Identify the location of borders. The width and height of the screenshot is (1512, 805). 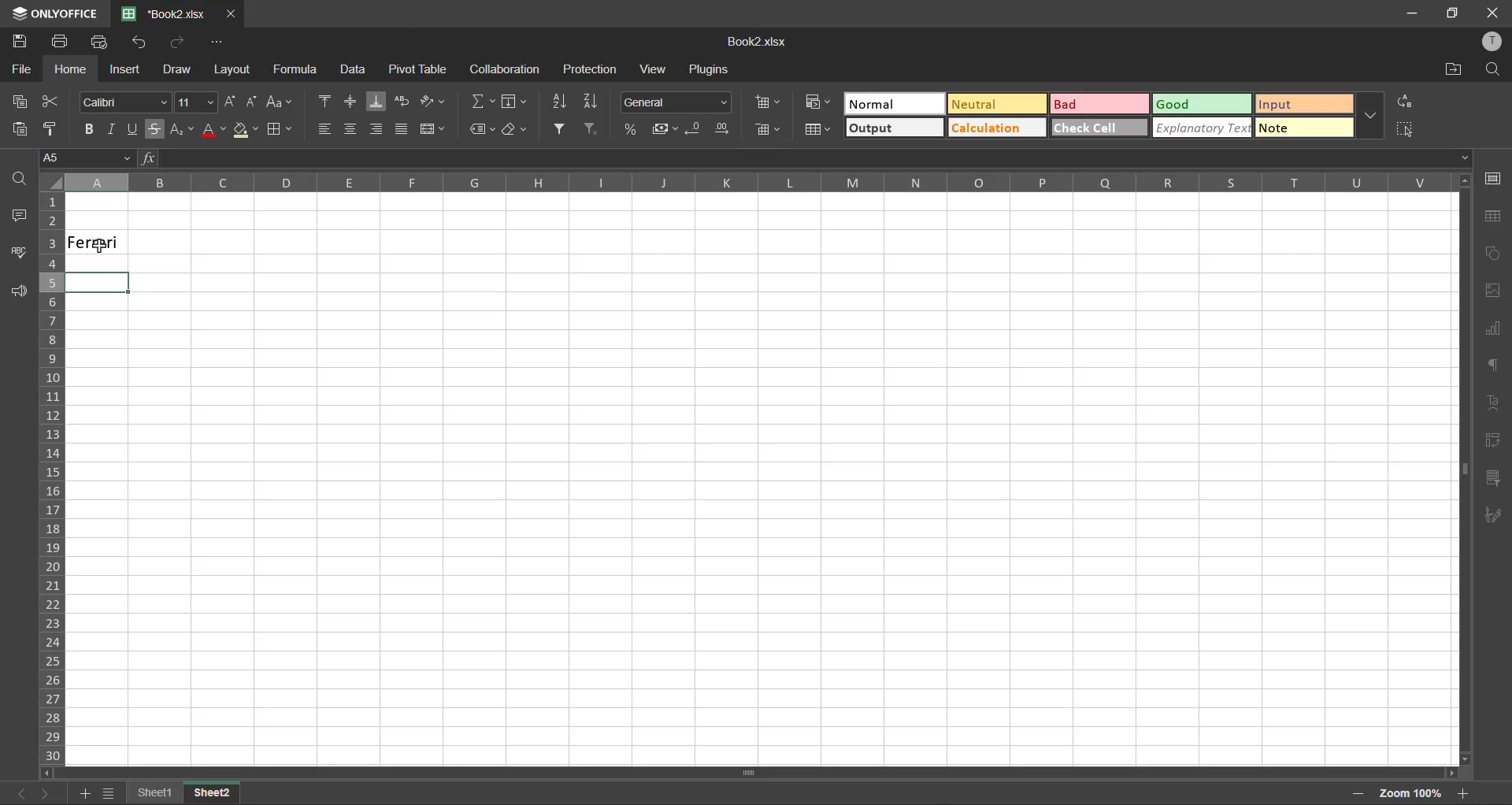
(283, 130).